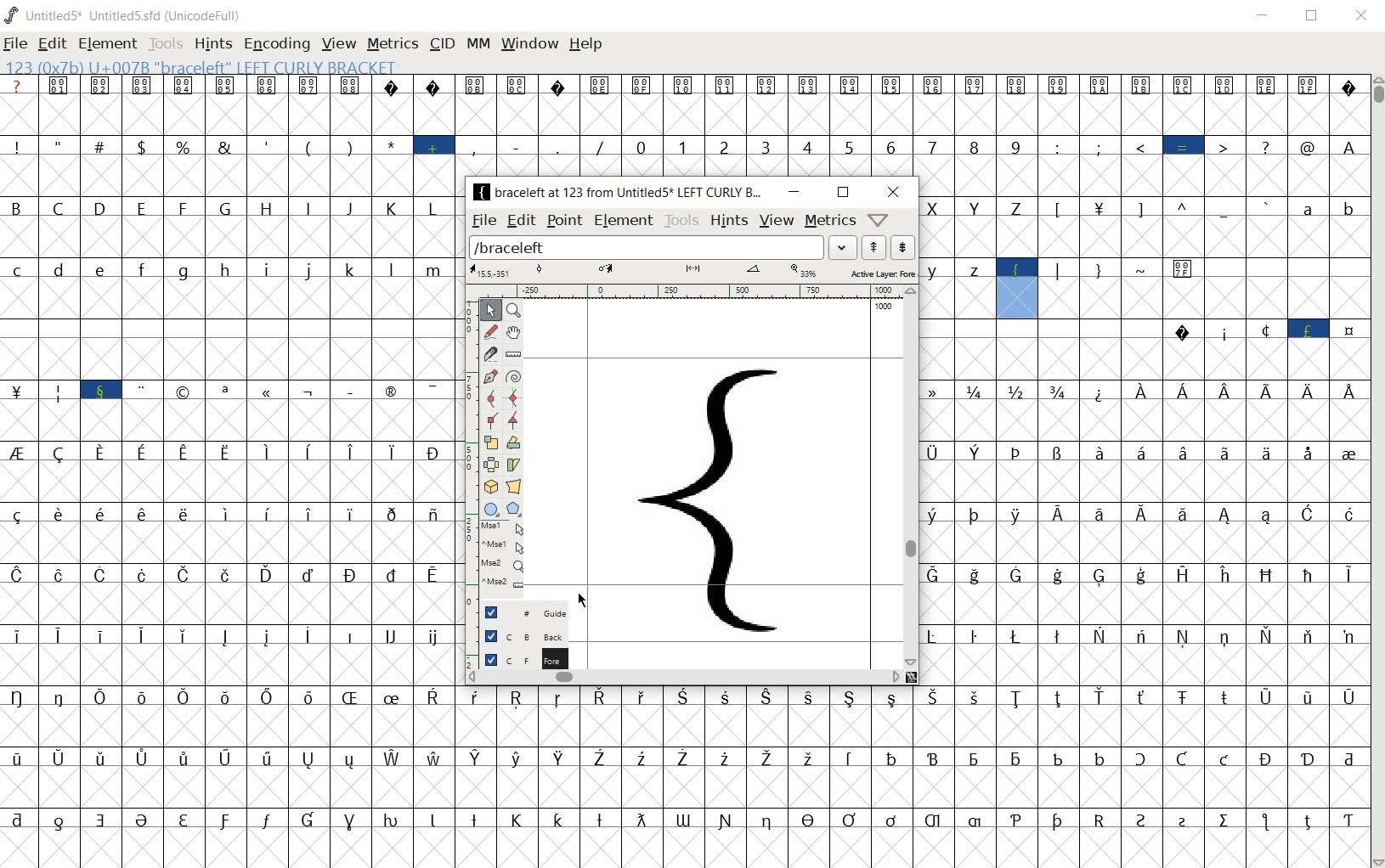 This screenshot has width=1385, height=868. I want to click on point, so click(564, 222).